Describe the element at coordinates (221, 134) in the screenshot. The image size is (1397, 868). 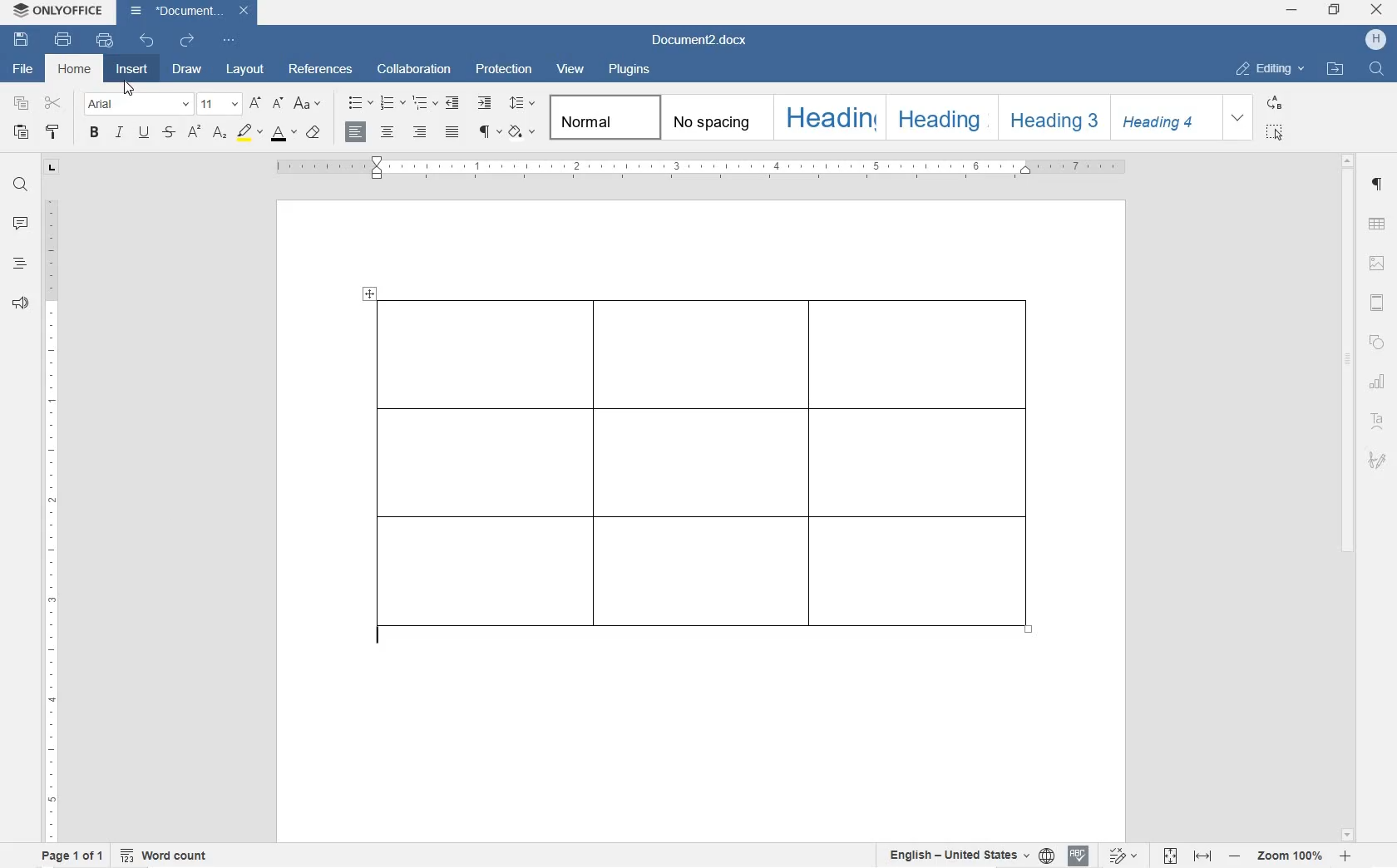
I see `subscript` at that location.